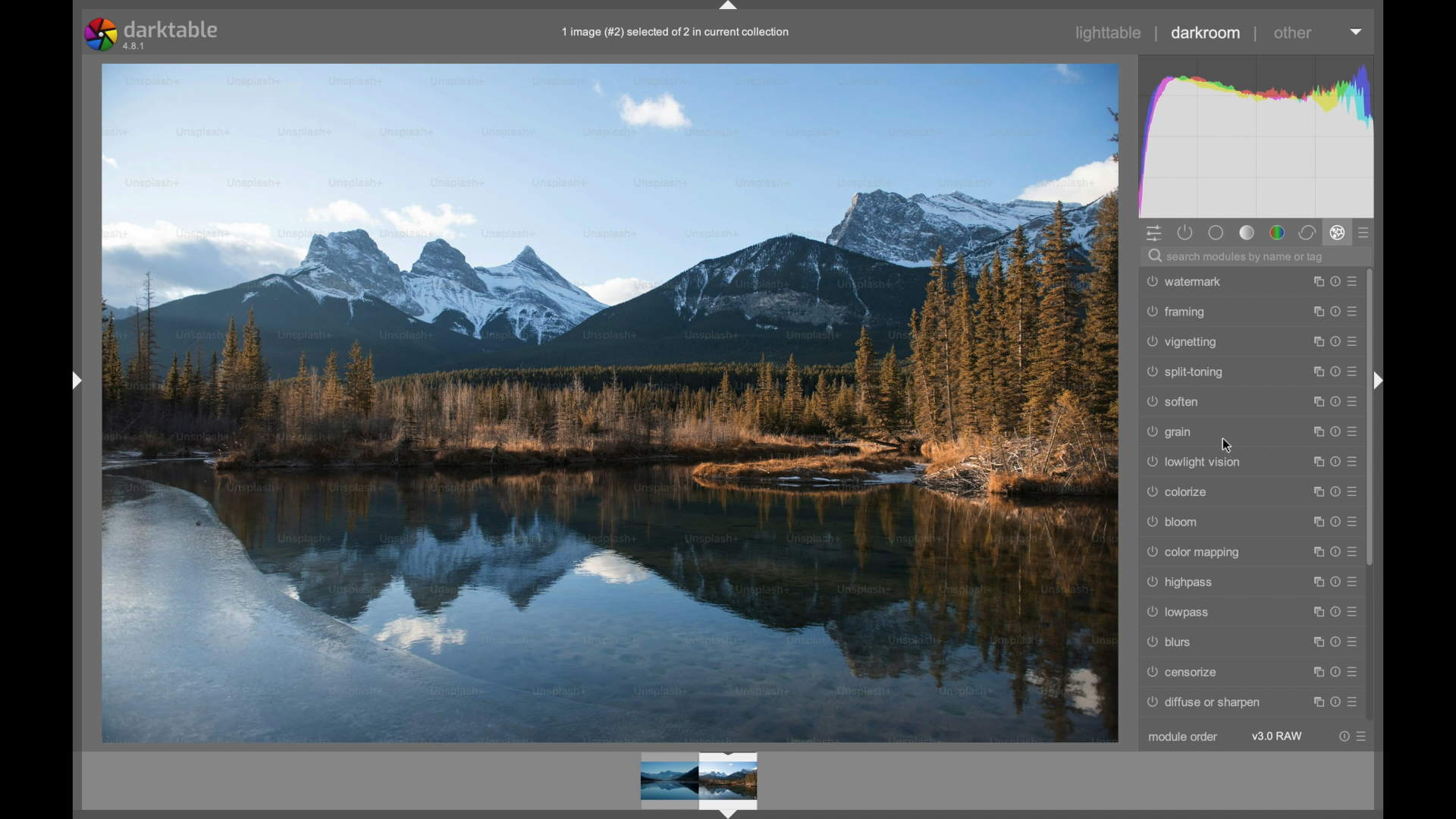 The height and width of the screenshot is (819, 1456). What do you see at coordinates (1333, 401) in the screenshot?
I see `reset parameters` at bounding box center [1333, 401].